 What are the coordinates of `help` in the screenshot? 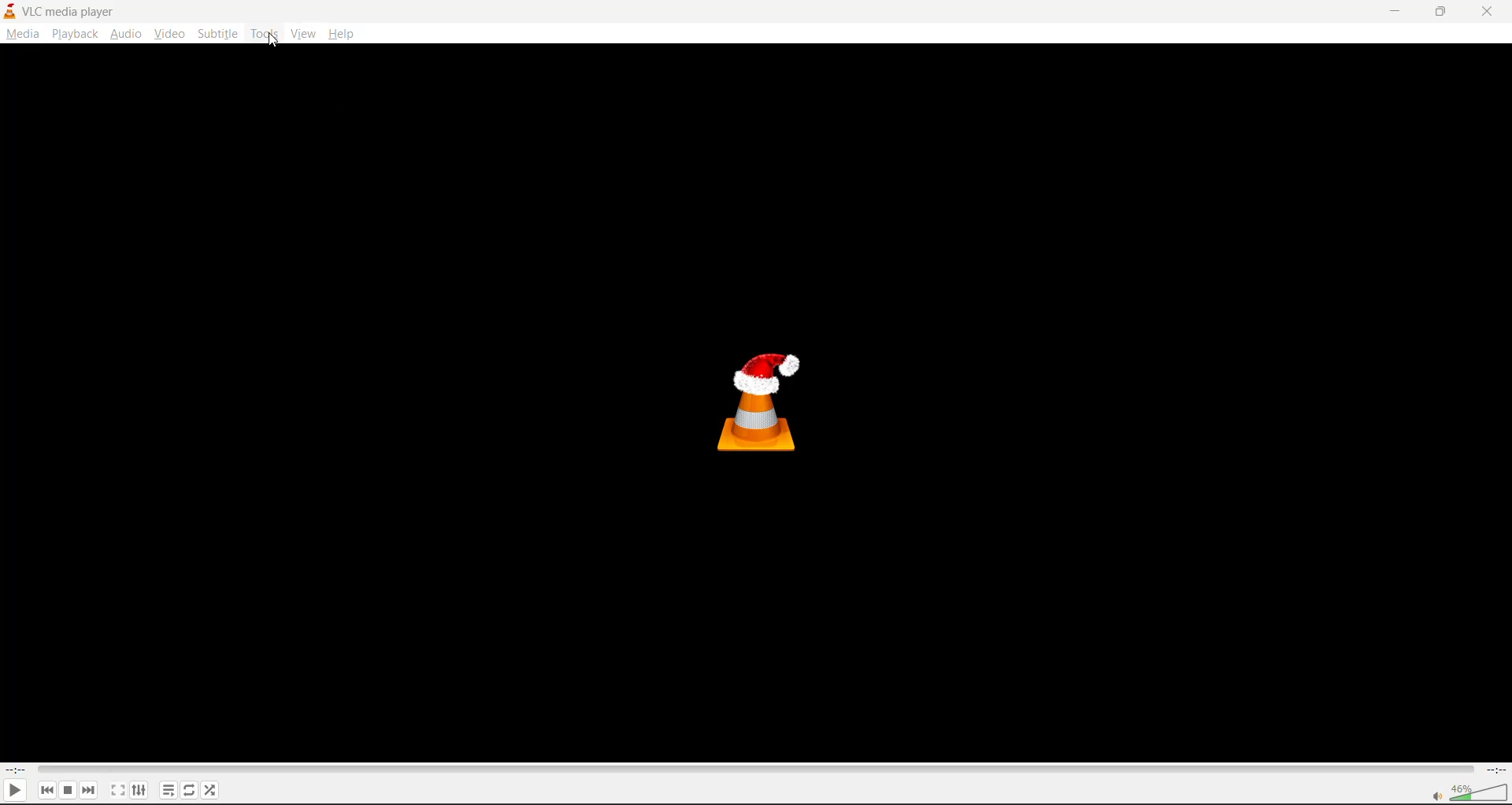 It's located at (344, 35).